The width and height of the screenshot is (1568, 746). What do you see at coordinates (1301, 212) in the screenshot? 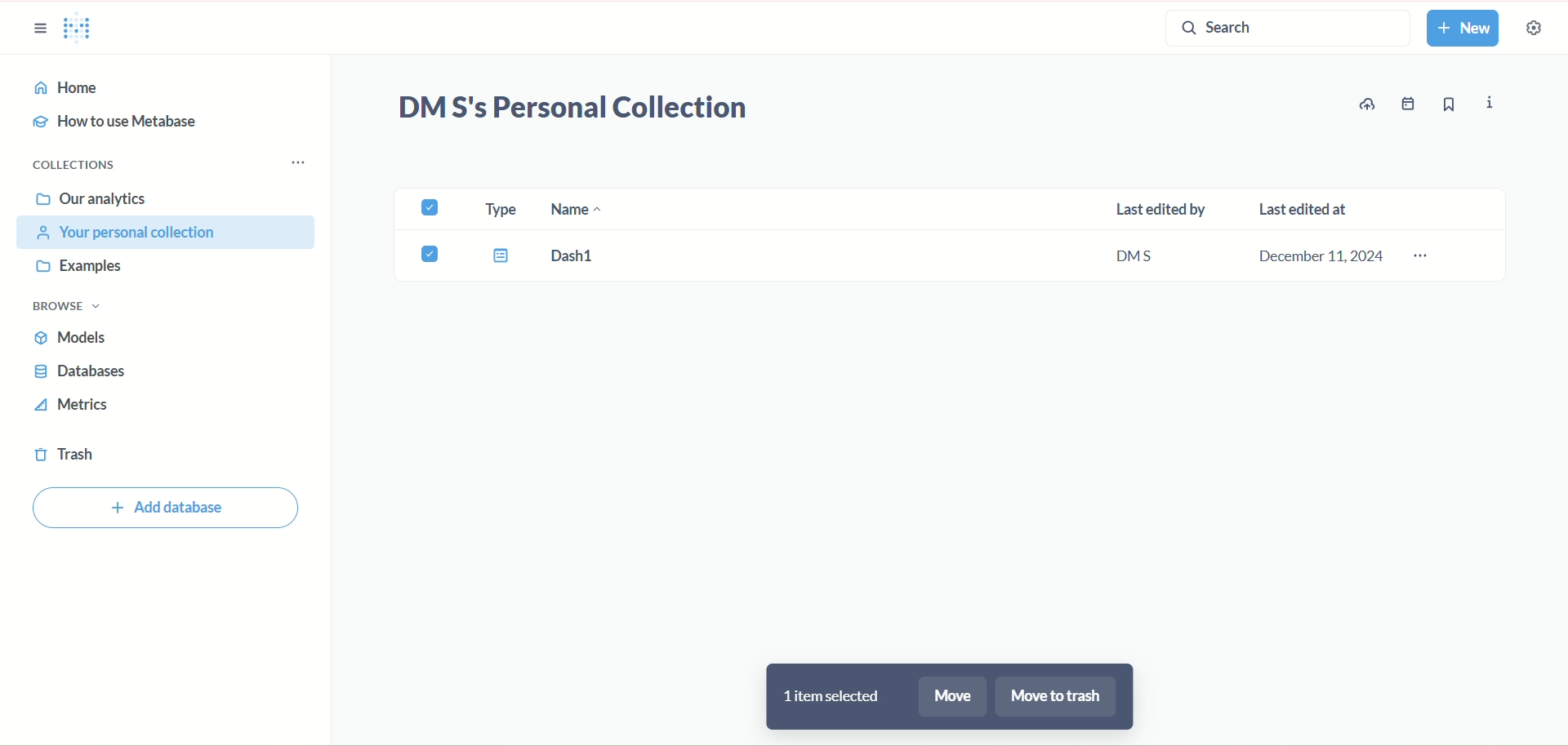
I see `last edited at` at bounding box center [1301, 212].